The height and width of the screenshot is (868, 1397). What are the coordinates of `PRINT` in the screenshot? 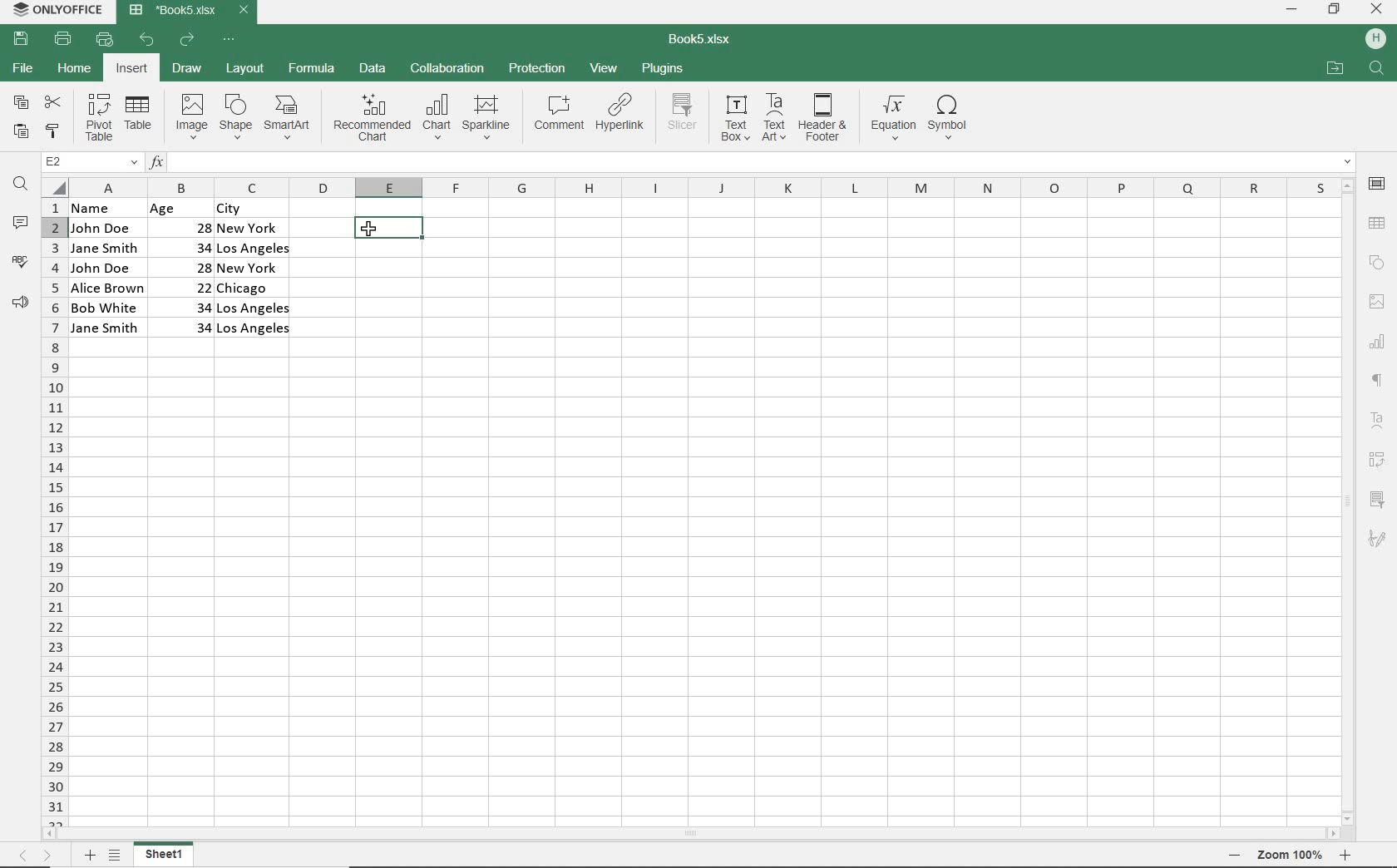 It's located at (63, 40).